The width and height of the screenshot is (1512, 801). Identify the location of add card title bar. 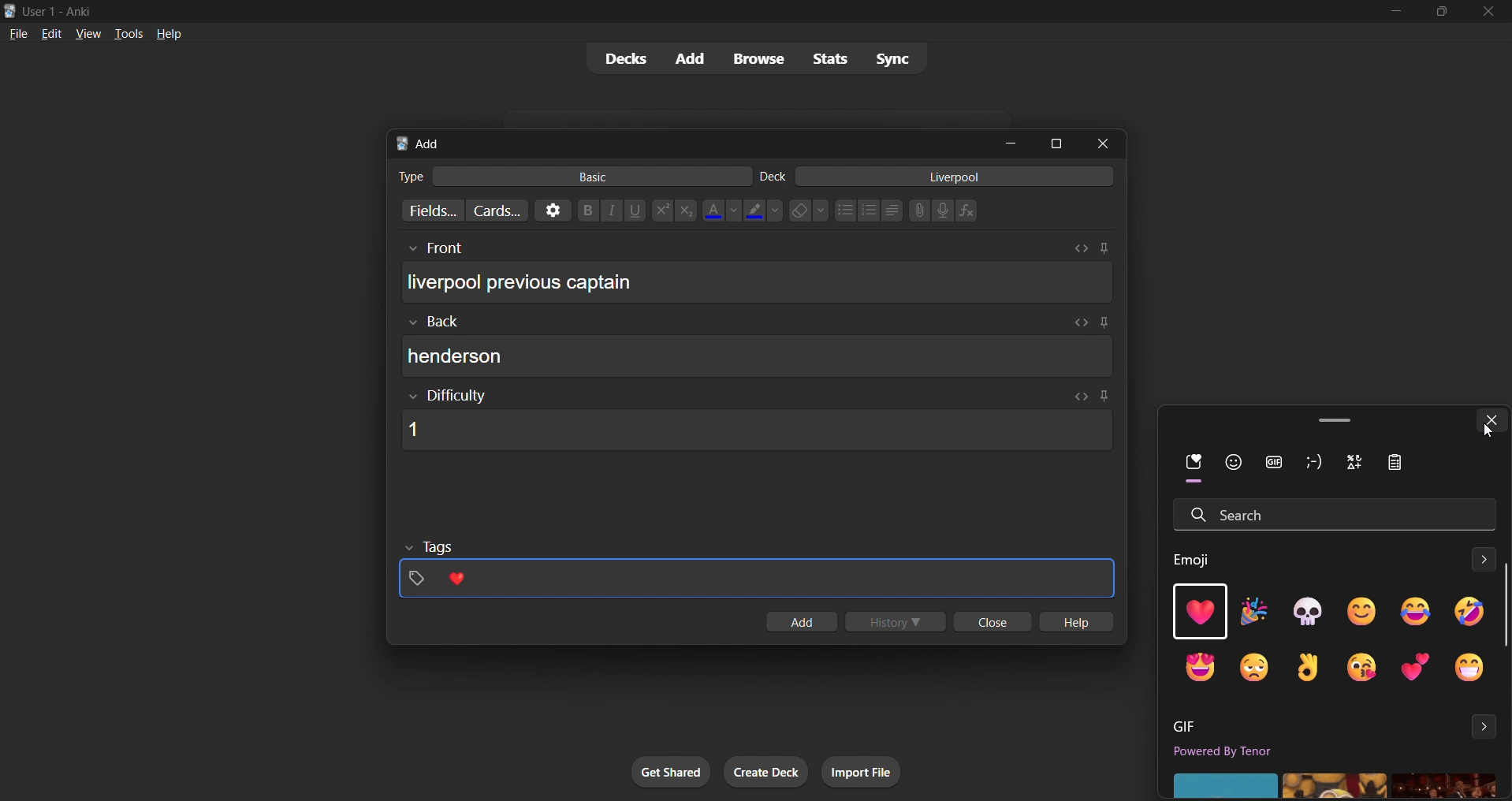
(689, 141).